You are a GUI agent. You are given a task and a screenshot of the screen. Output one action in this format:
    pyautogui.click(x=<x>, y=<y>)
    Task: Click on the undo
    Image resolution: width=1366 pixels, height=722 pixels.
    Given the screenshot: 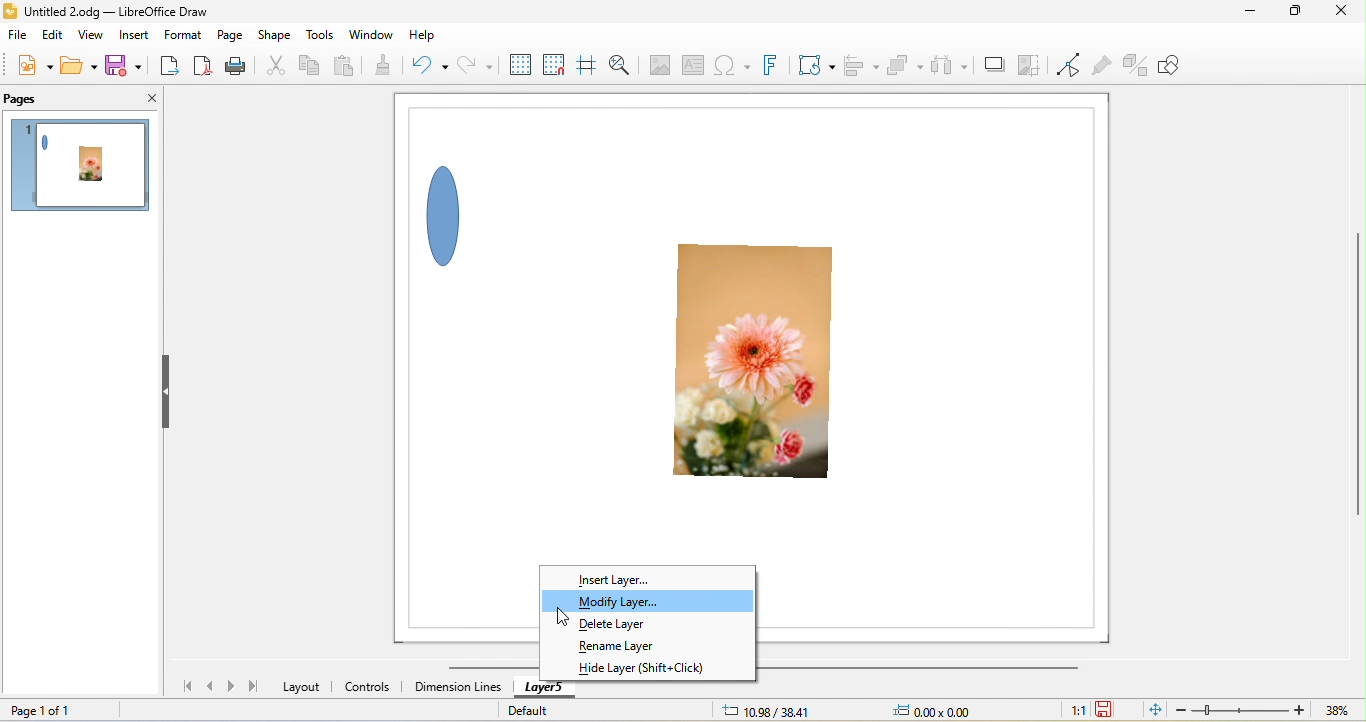 What is the action you would take?
    pyautogui.click(x=435, y=65)
    